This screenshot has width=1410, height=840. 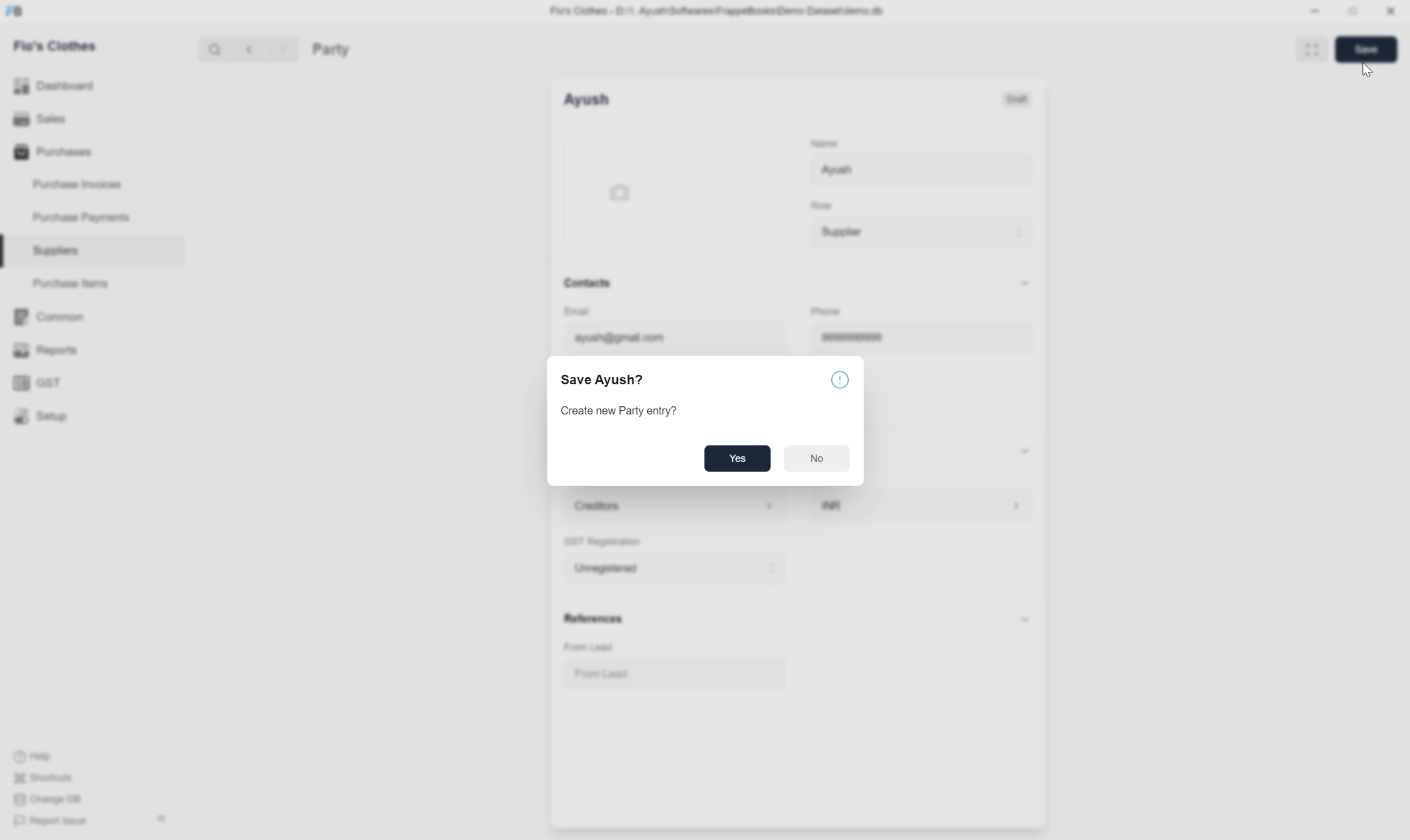 What do you see at coordinates (922, 505) in the screenshot?
I see `INR` at bounding box center [922, 505].